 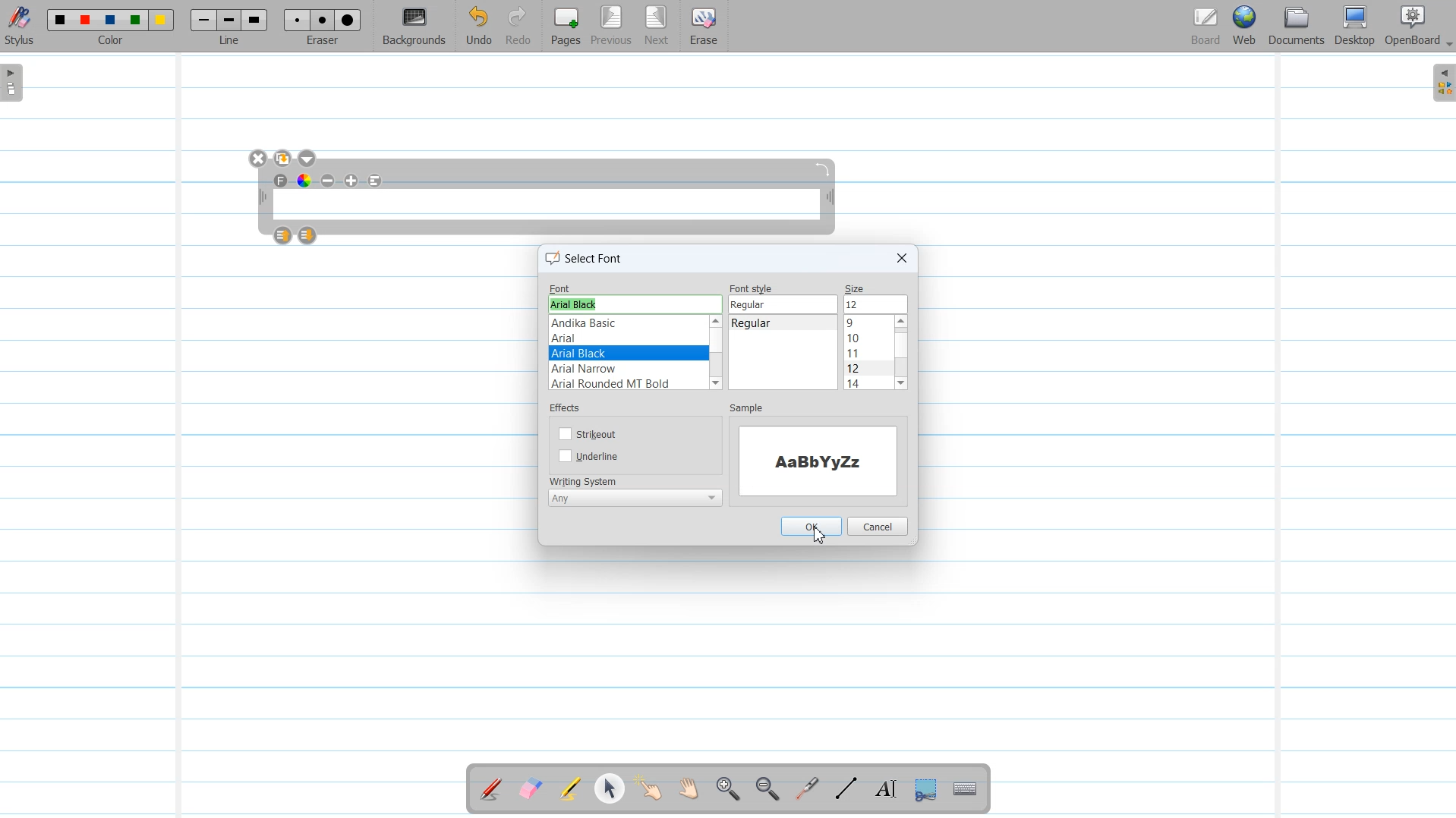 What do you see at coordinates (570, 791) in the screenshot?
I see `Highlight` at bounding box center [570, 791].